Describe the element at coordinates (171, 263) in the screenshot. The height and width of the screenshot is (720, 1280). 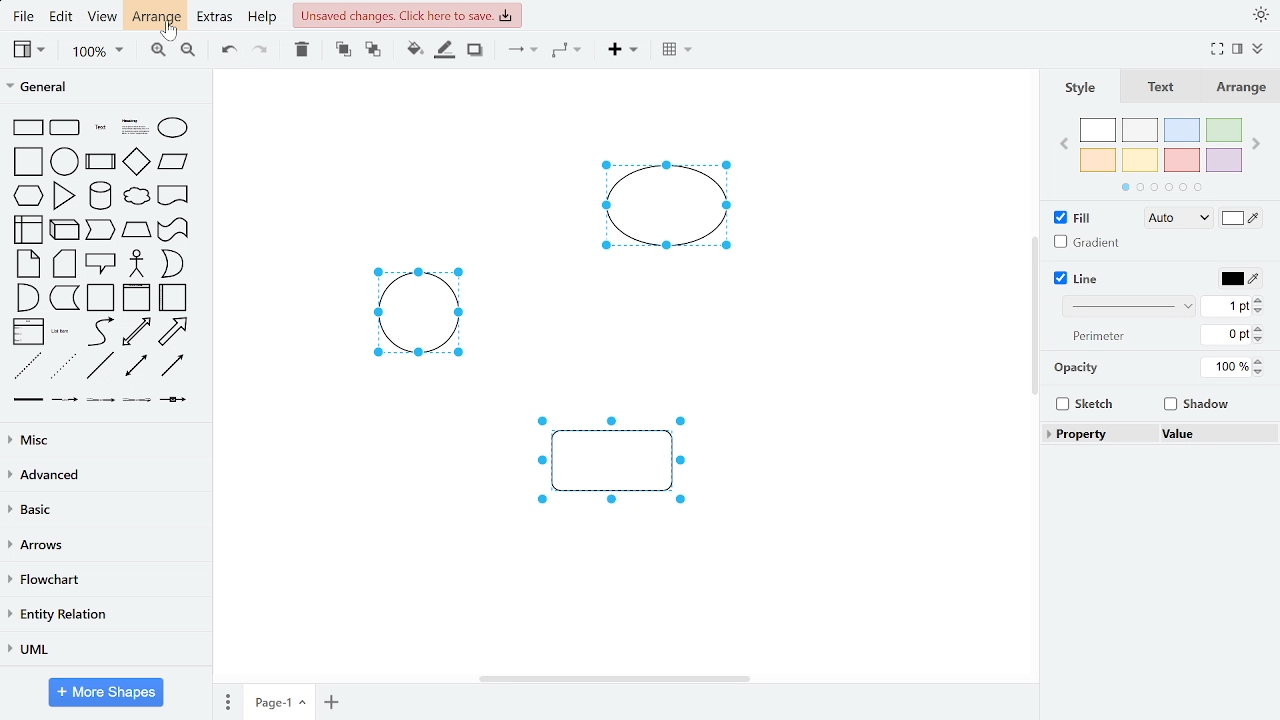
I see `or` at that location.